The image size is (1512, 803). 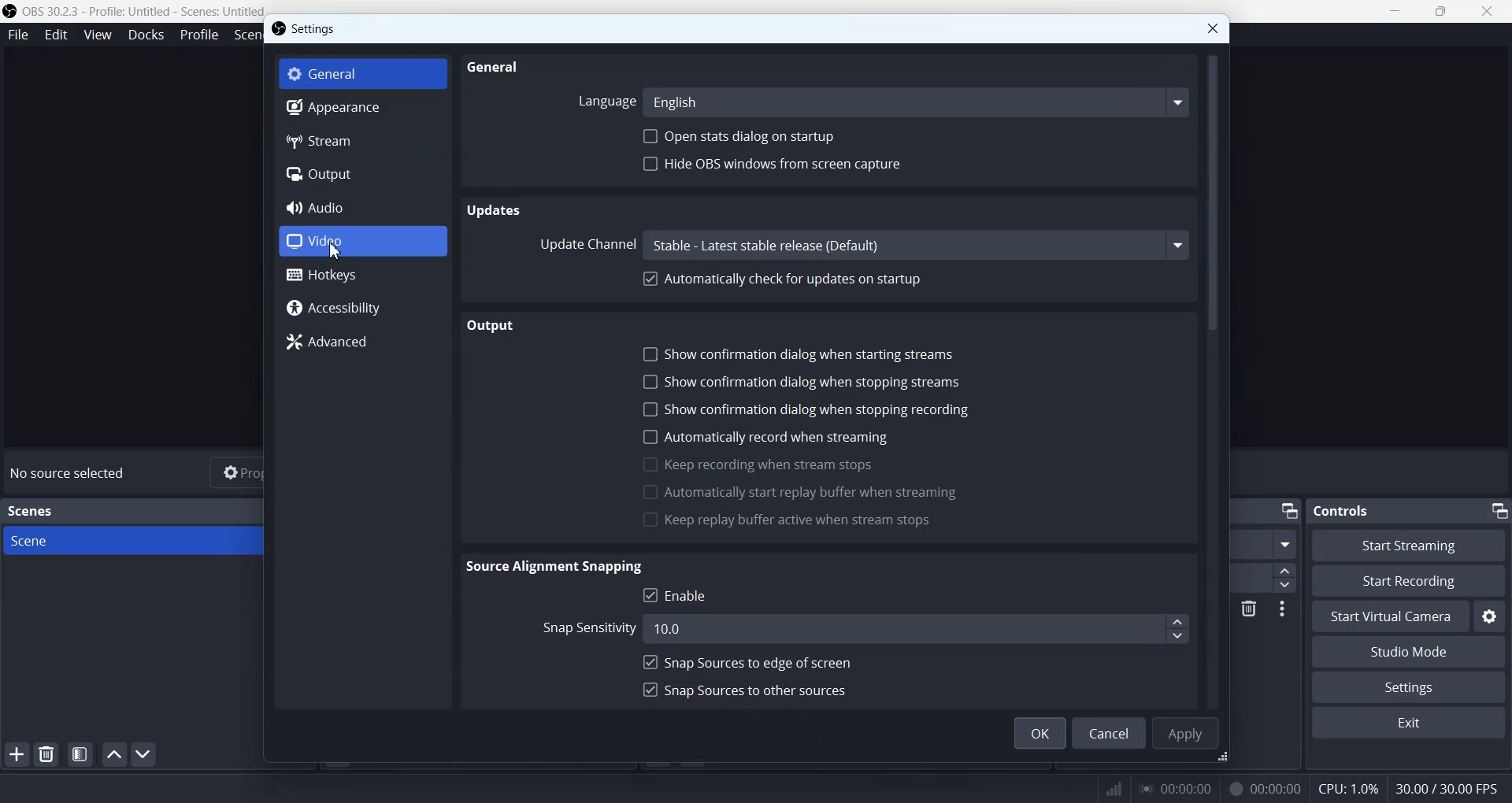 I want to click on Snap sensitivity 10.0, so click(x=864, y=627).